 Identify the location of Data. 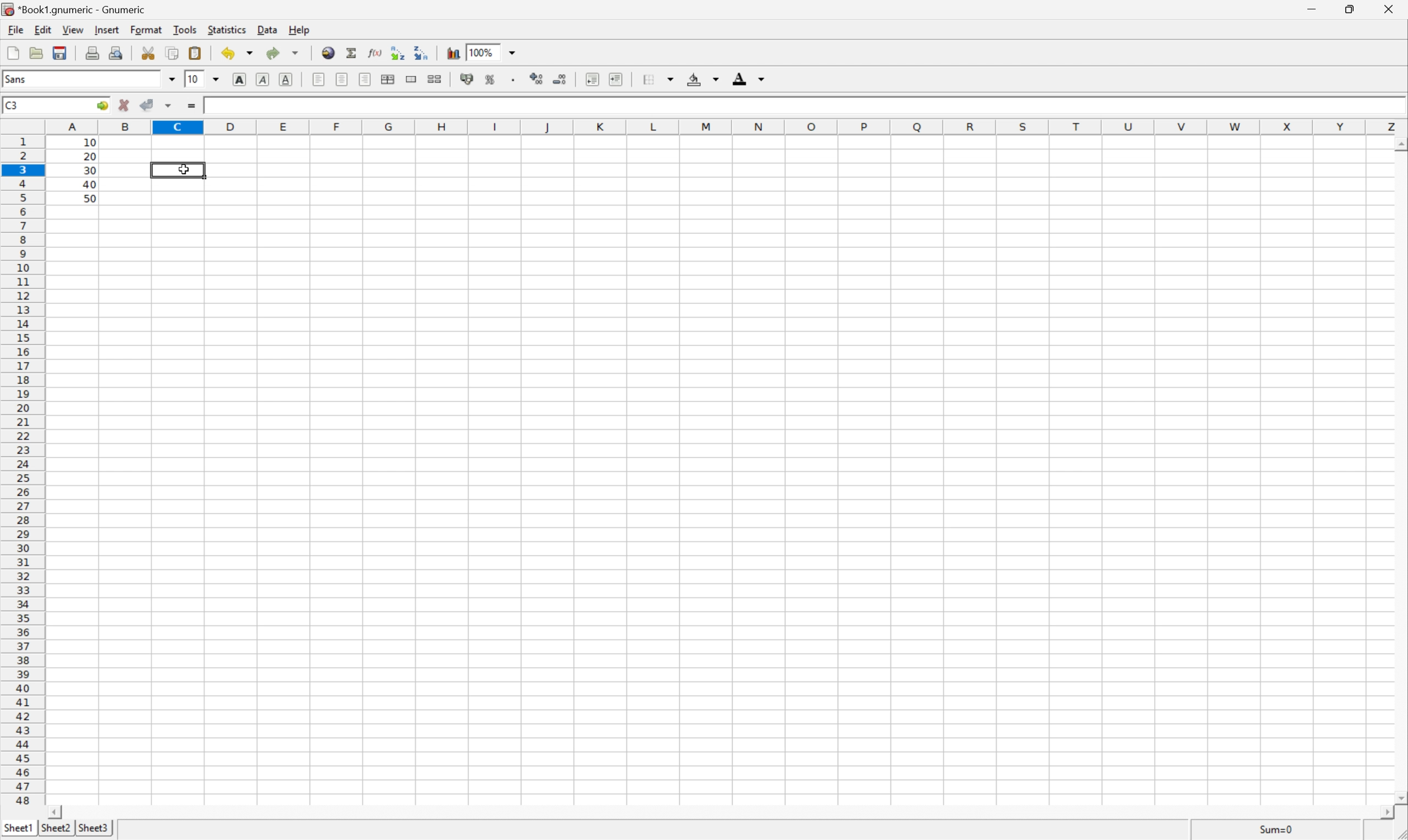
(268, 28).